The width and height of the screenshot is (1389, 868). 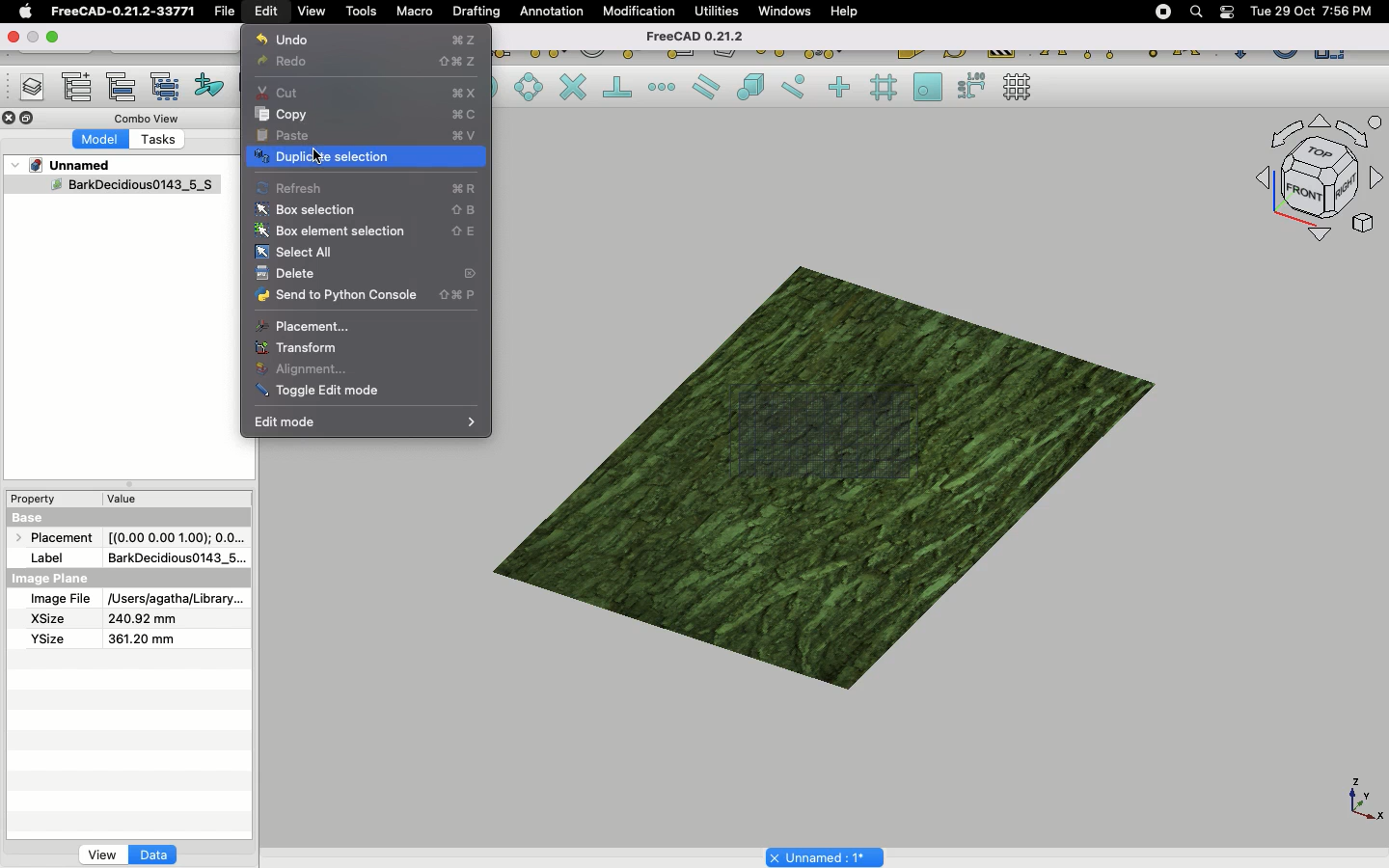 What do you see at coordinates (39, 499) in the screenshot?
I see `Property` at bounding box center [39, 499].